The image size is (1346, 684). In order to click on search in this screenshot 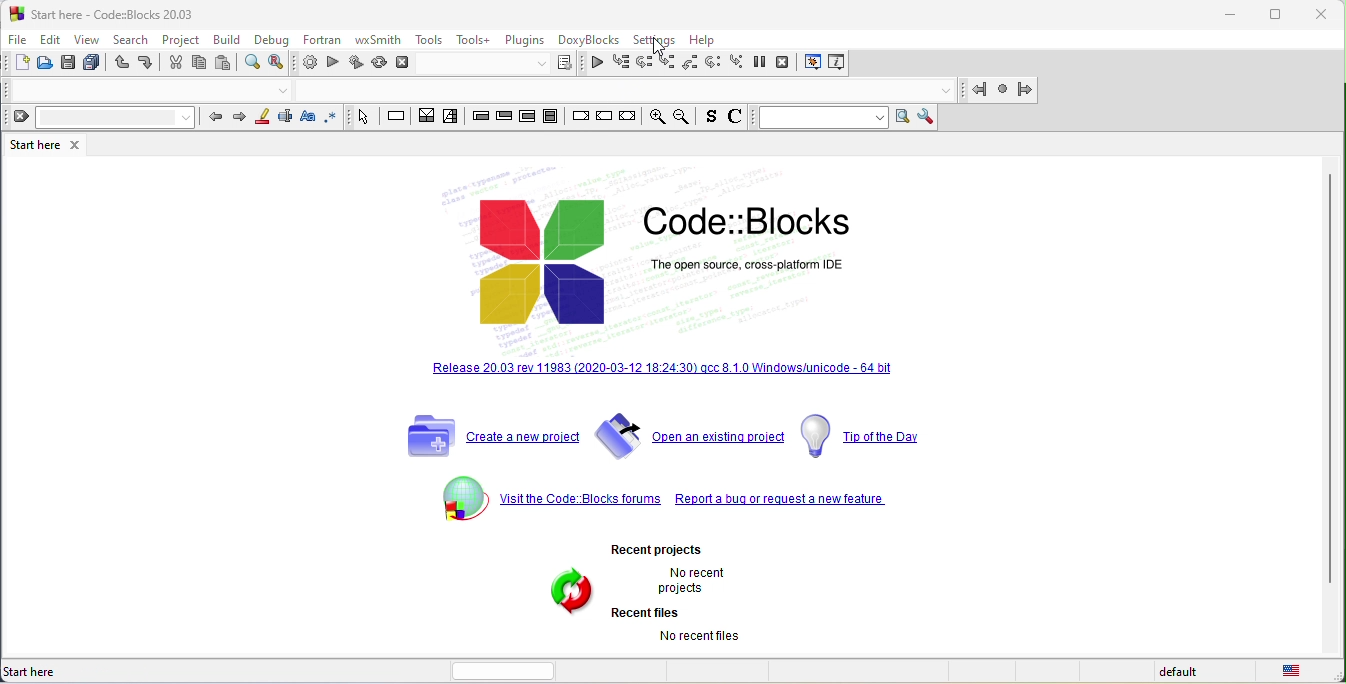, I will do `click(133, 41)`.